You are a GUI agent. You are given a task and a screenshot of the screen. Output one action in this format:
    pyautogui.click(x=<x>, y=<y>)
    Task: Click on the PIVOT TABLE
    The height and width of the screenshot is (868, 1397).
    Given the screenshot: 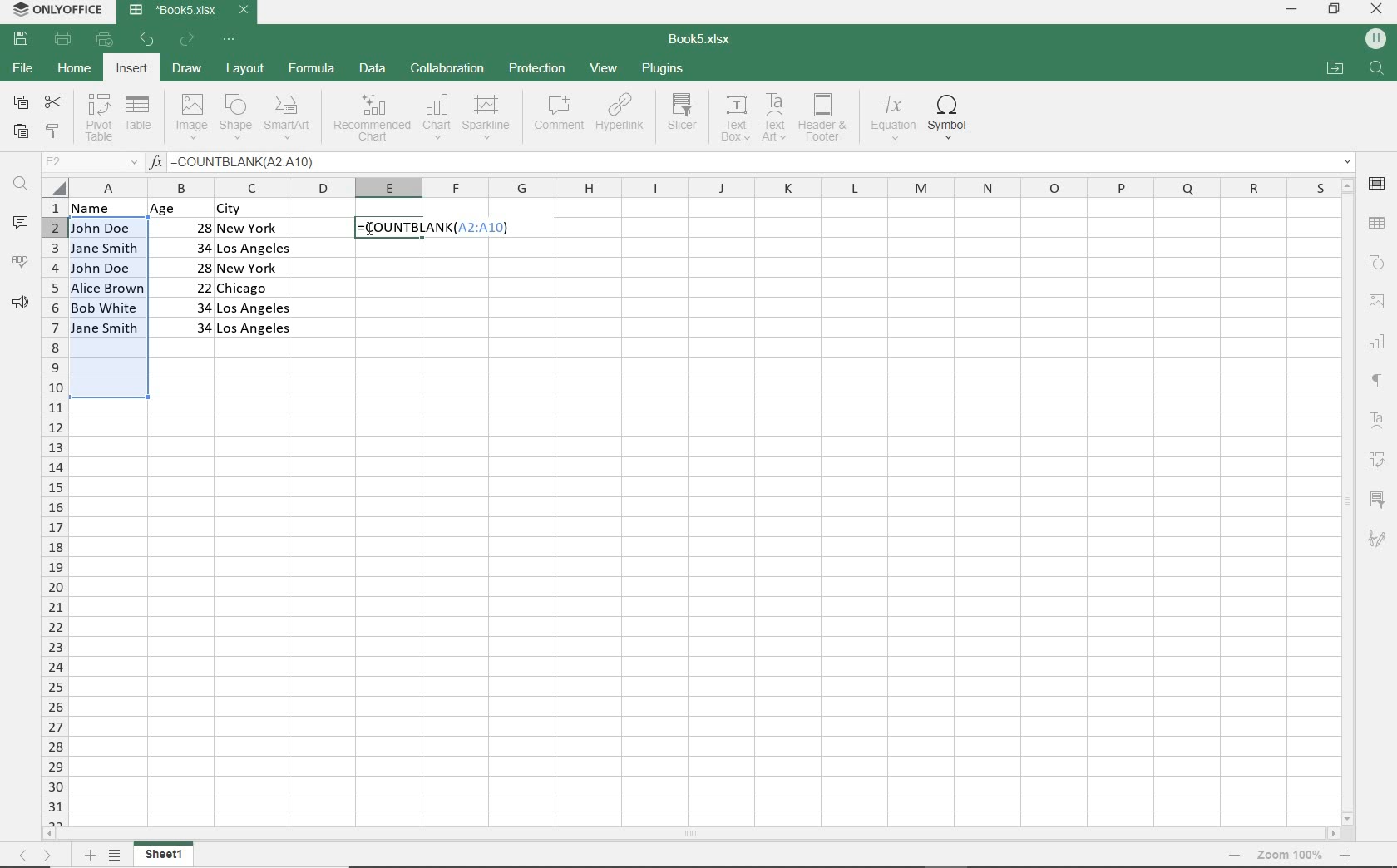 What is the action you would take?
    pyautogui.click(x=99, y=118)
    